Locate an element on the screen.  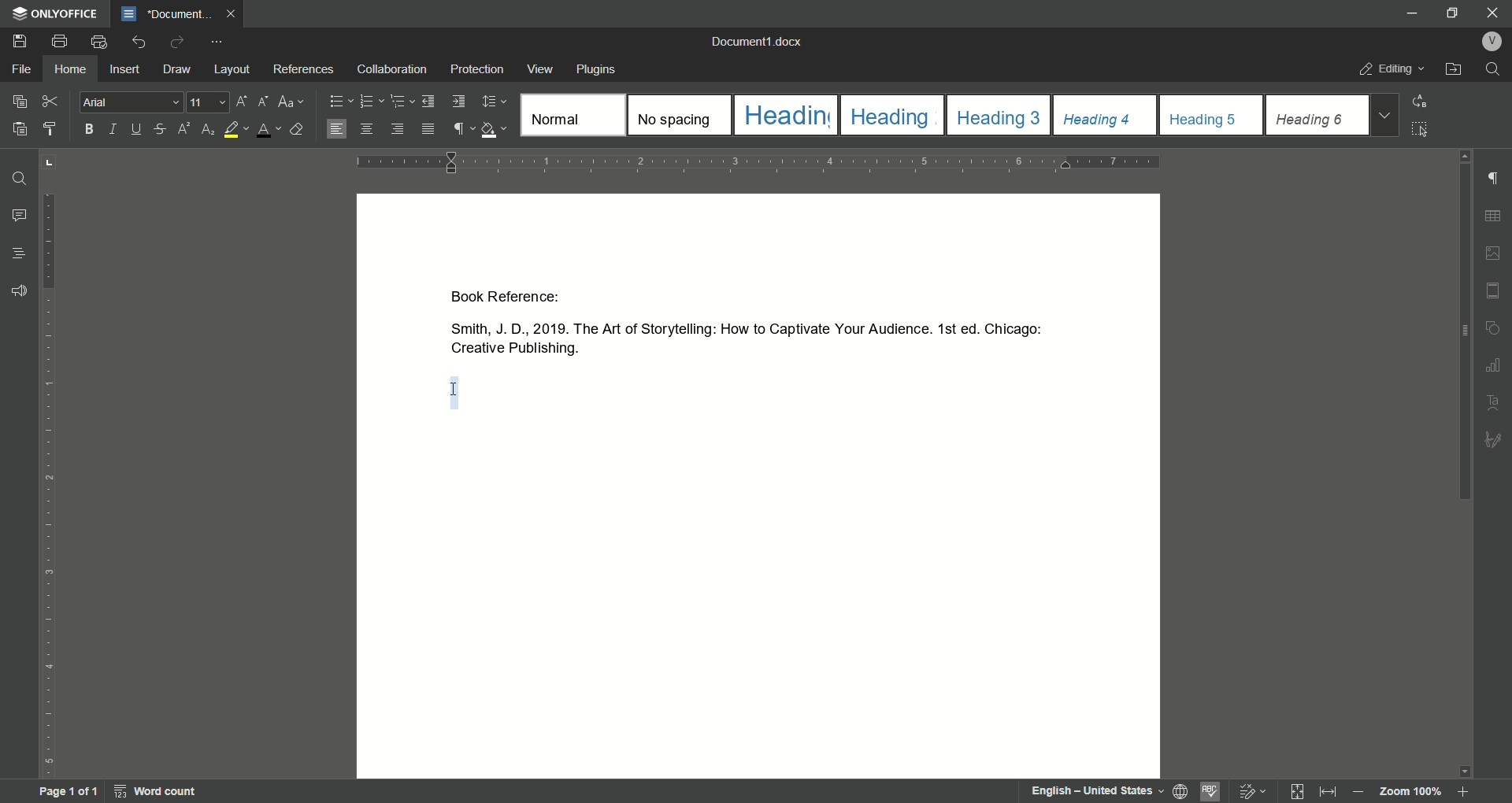
feedback & support is located at coordinates (20, 290).